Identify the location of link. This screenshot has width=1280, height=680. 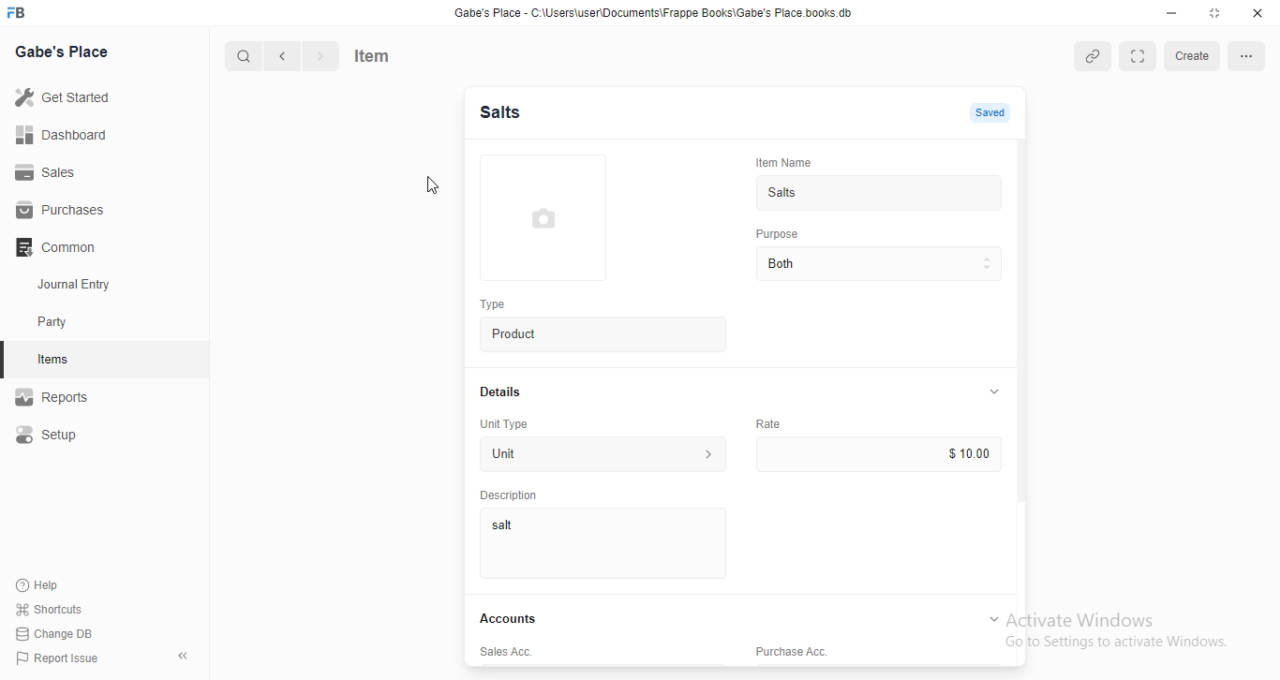
(1094, 56).